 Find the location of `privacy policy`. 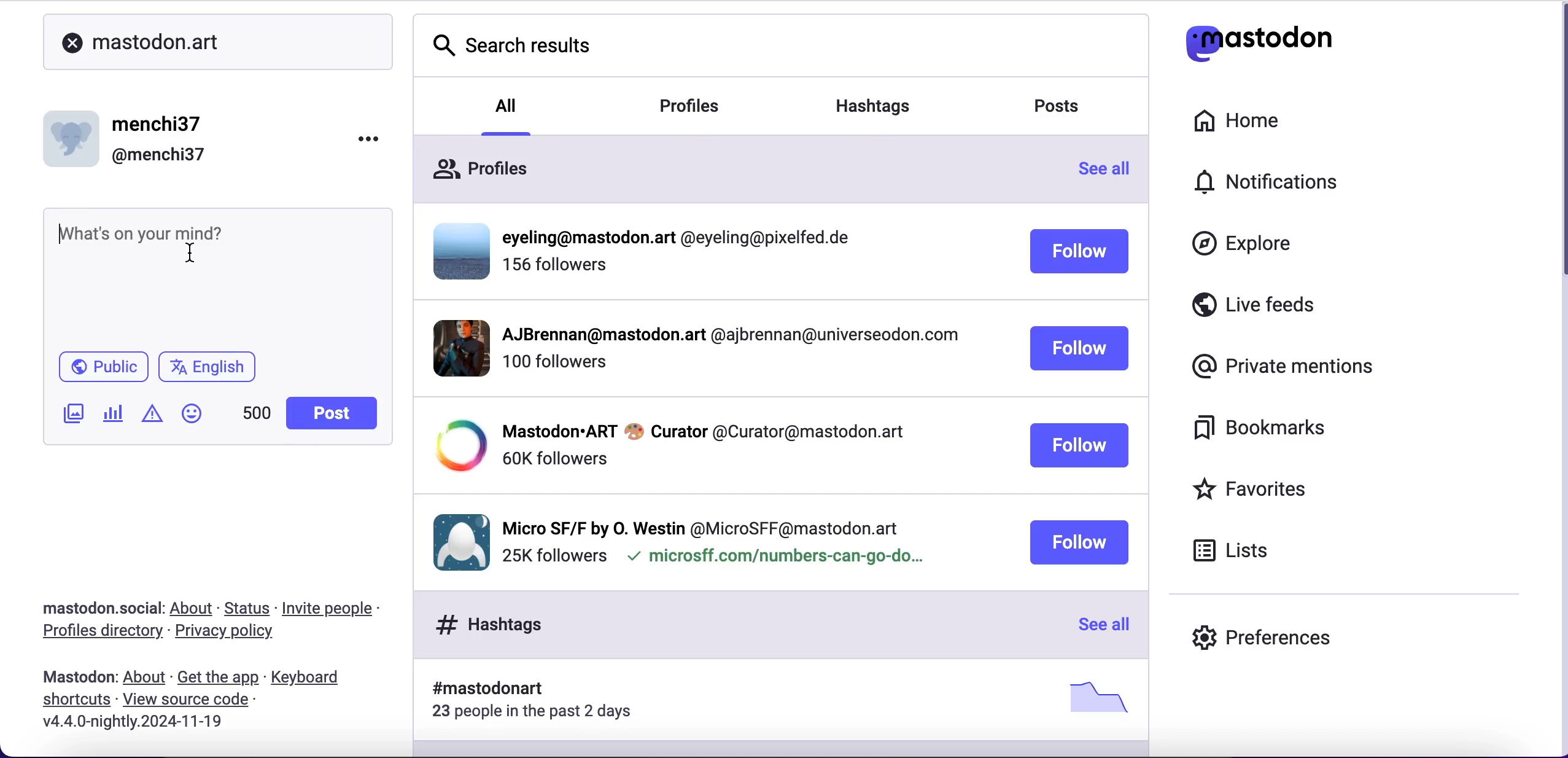

privacy policy is located at coordinates (233, 635).